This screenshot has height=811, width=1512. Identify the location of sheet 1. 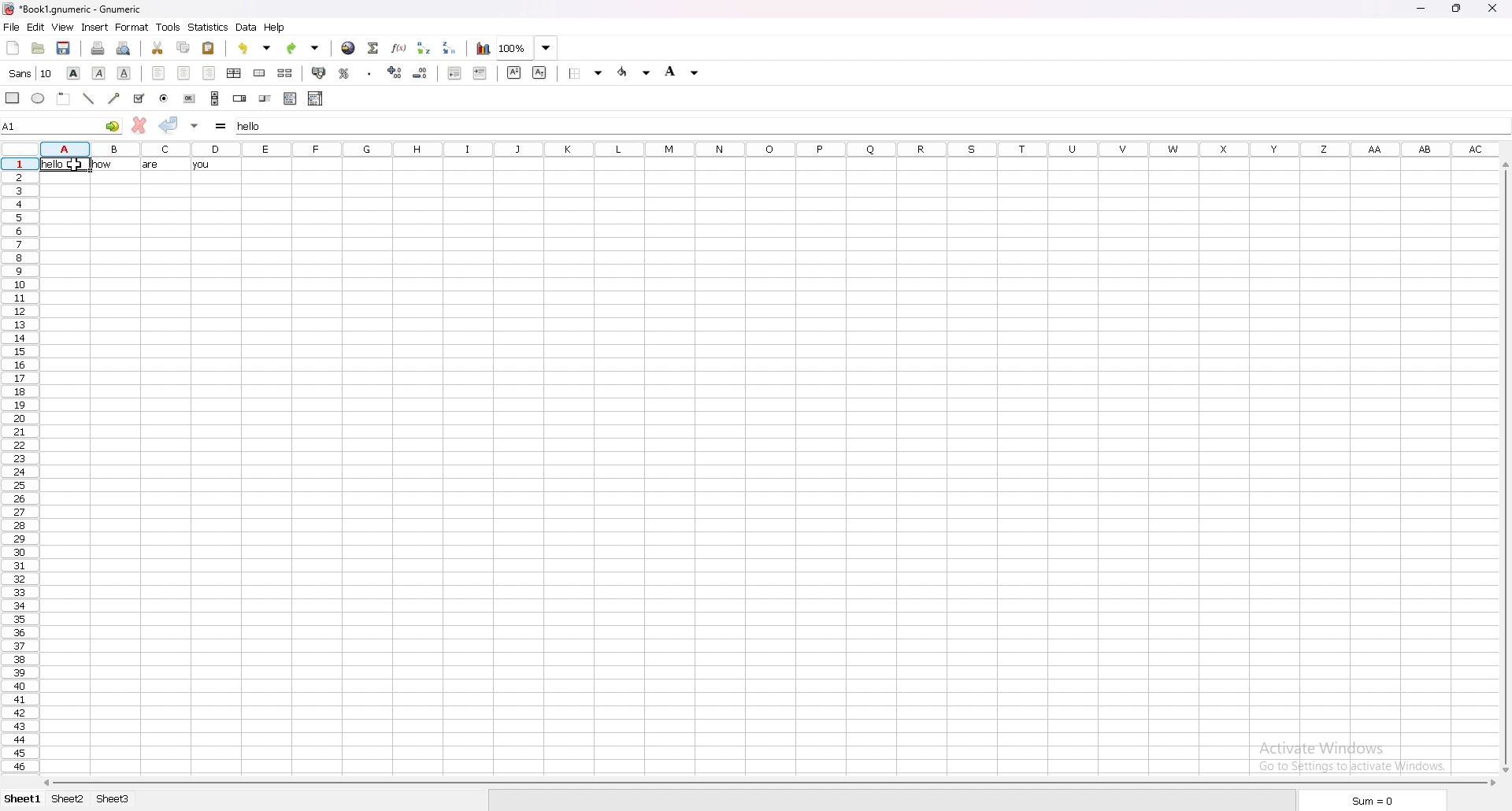
(21, 801).